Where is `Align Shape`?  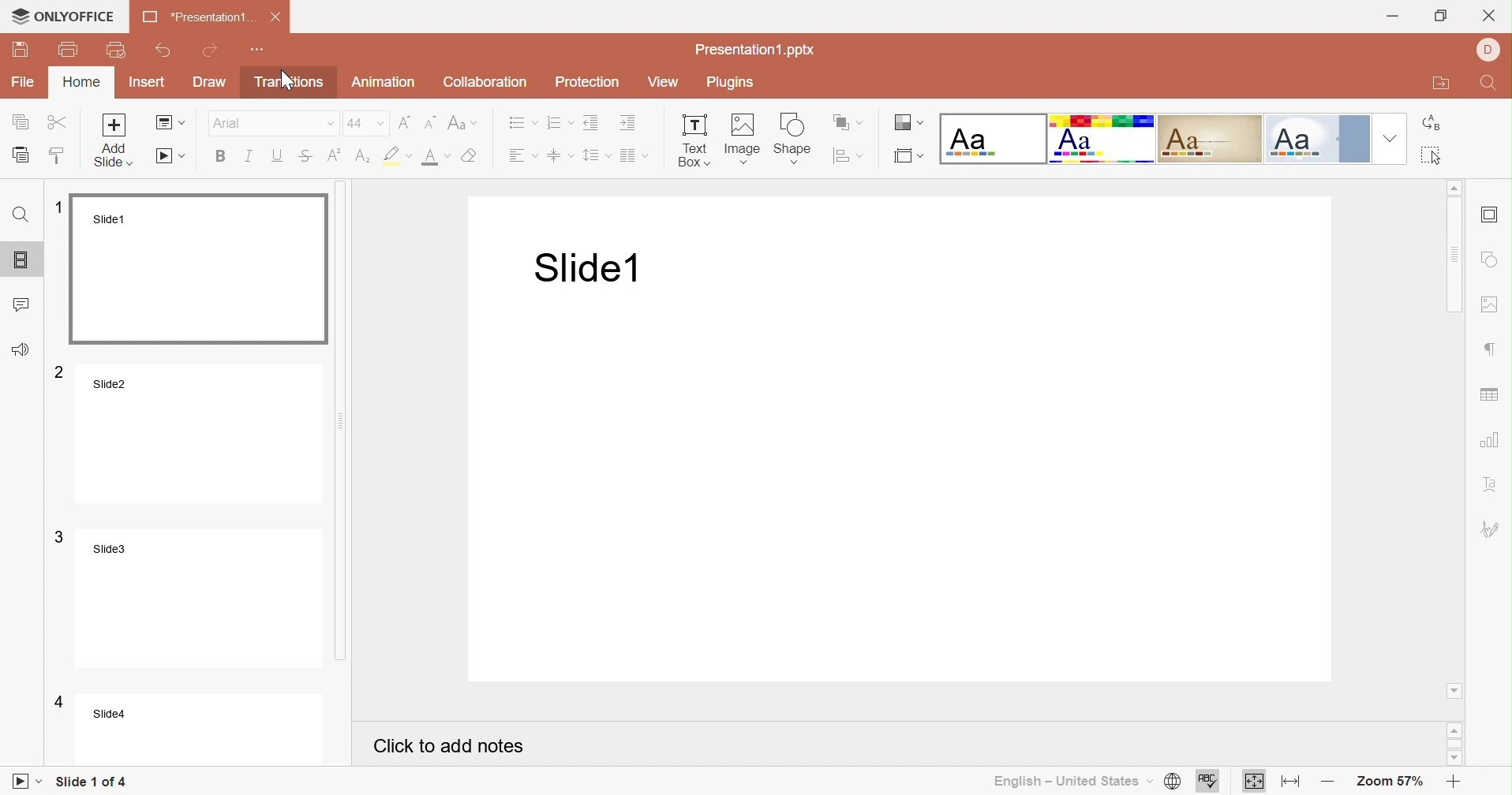 Align Shape is located at coordinates (851, 155).